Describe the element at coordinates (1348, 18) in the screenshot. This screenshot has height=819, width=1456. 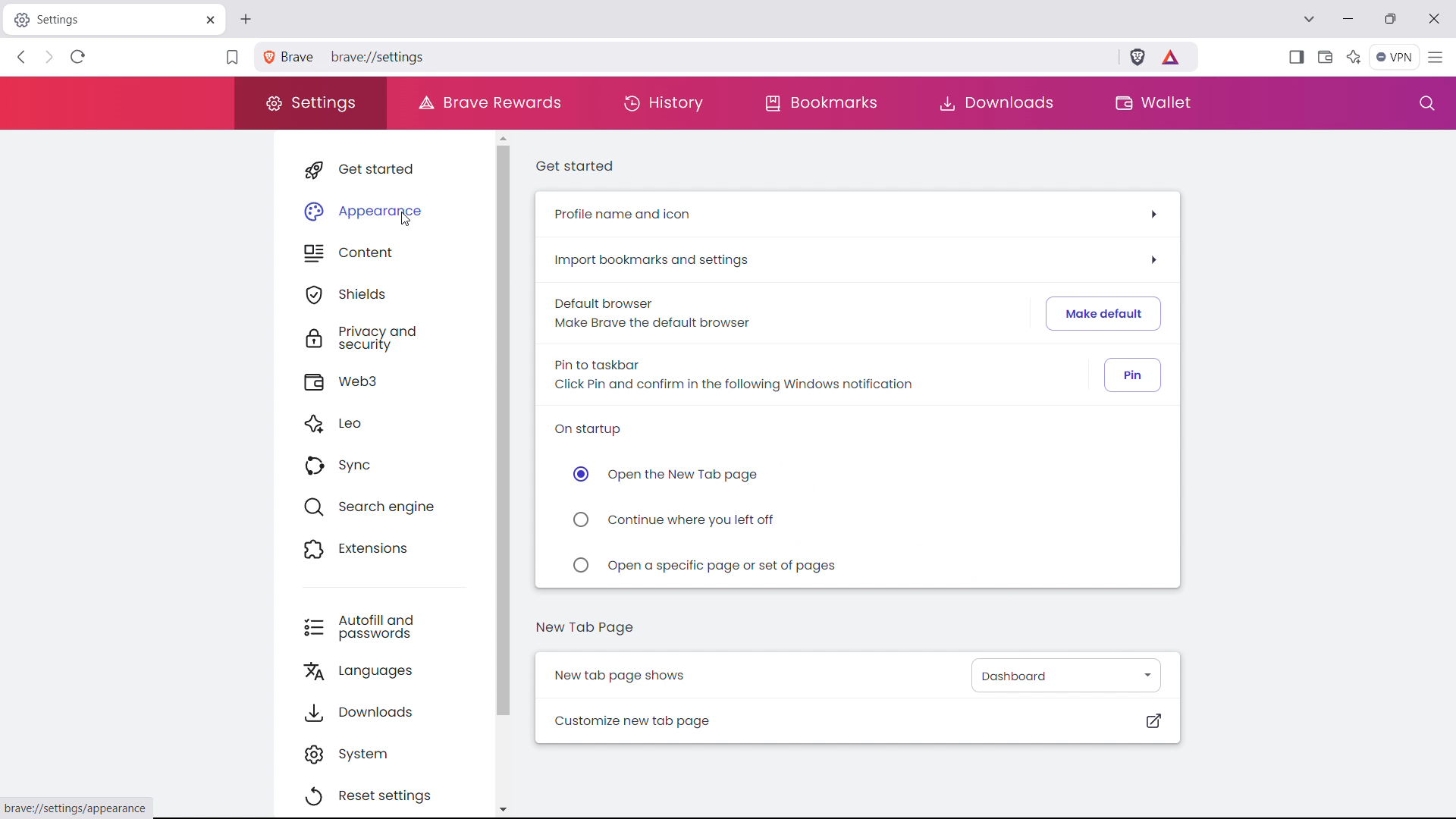
I see `minimize` at that location.